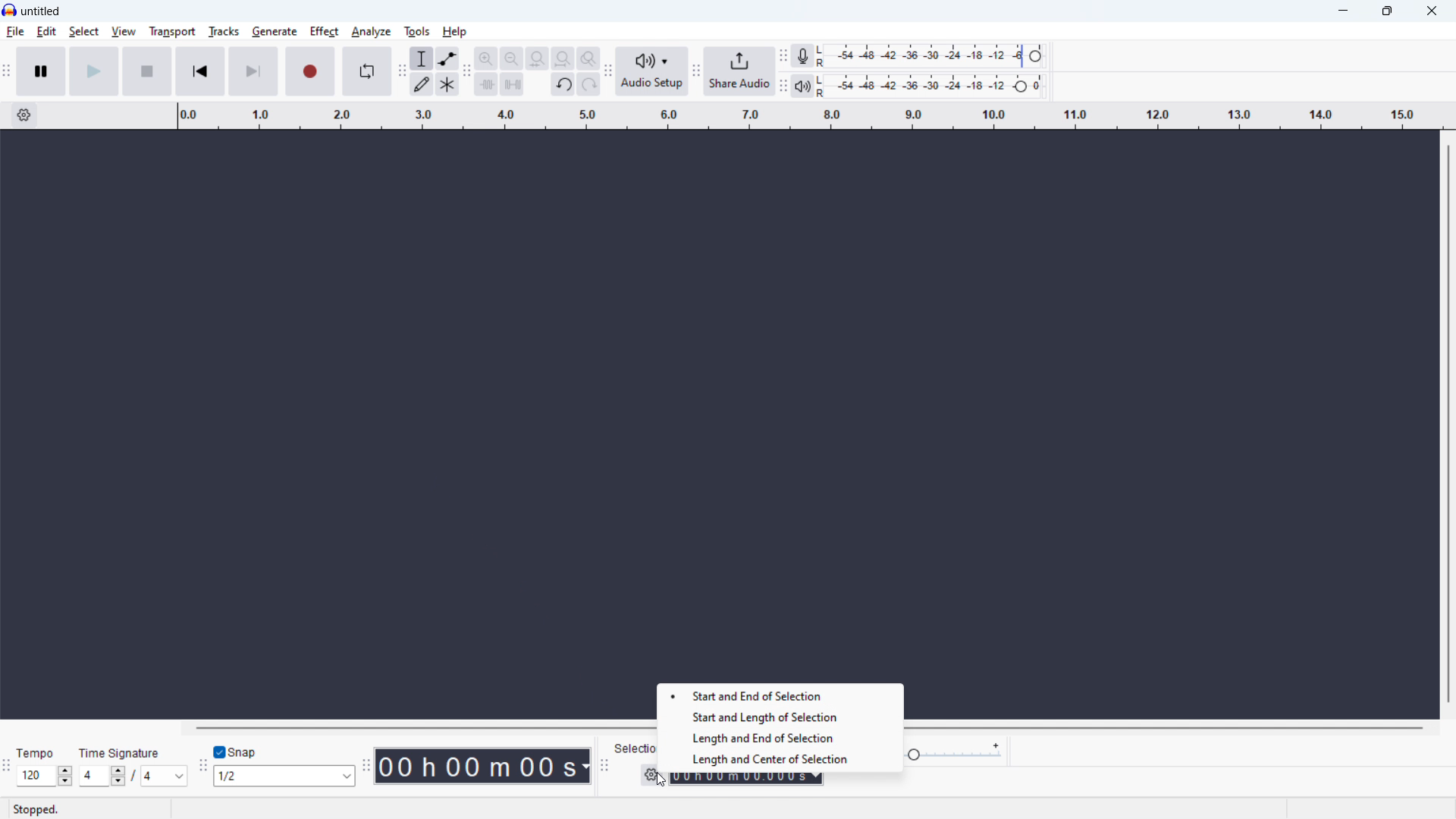 The width and height of the screenshot is (1456, 819). Describe the element at coordinates (255, 71) in the screenshot. I see `skip to end` at that location.